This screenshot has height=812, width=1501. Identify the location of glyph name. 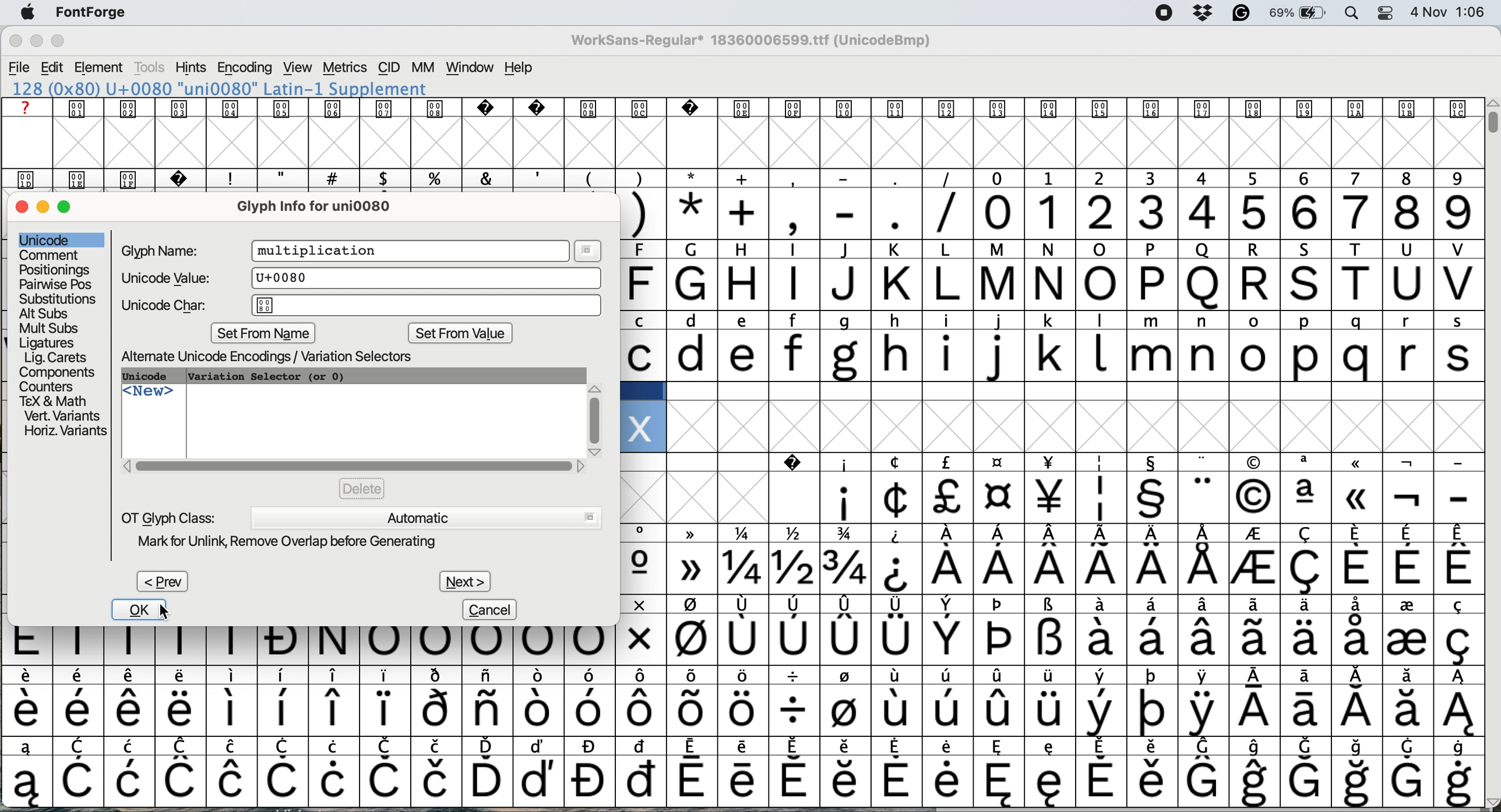
(163, 250).